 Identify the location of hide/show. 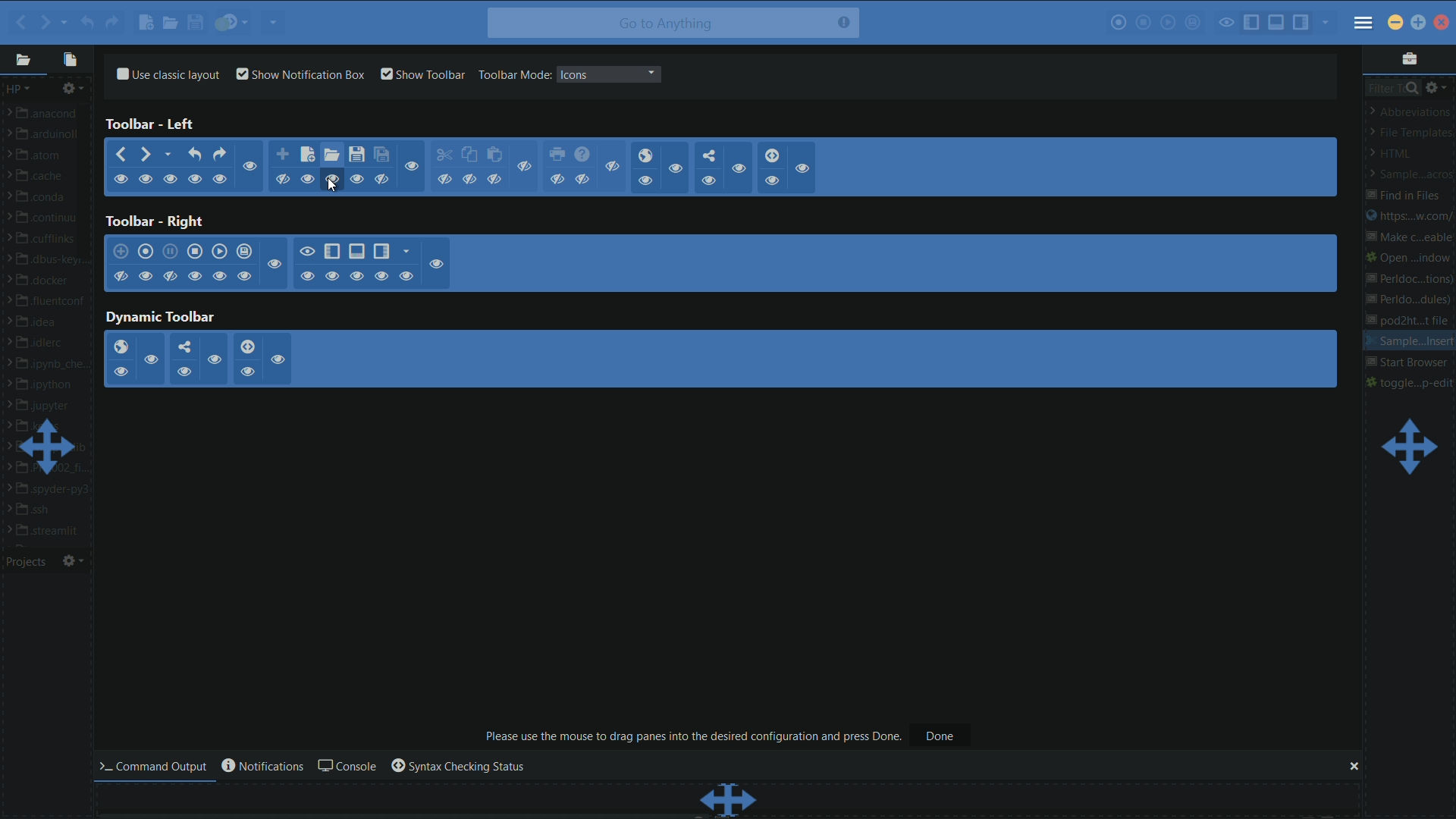
(275, 265).